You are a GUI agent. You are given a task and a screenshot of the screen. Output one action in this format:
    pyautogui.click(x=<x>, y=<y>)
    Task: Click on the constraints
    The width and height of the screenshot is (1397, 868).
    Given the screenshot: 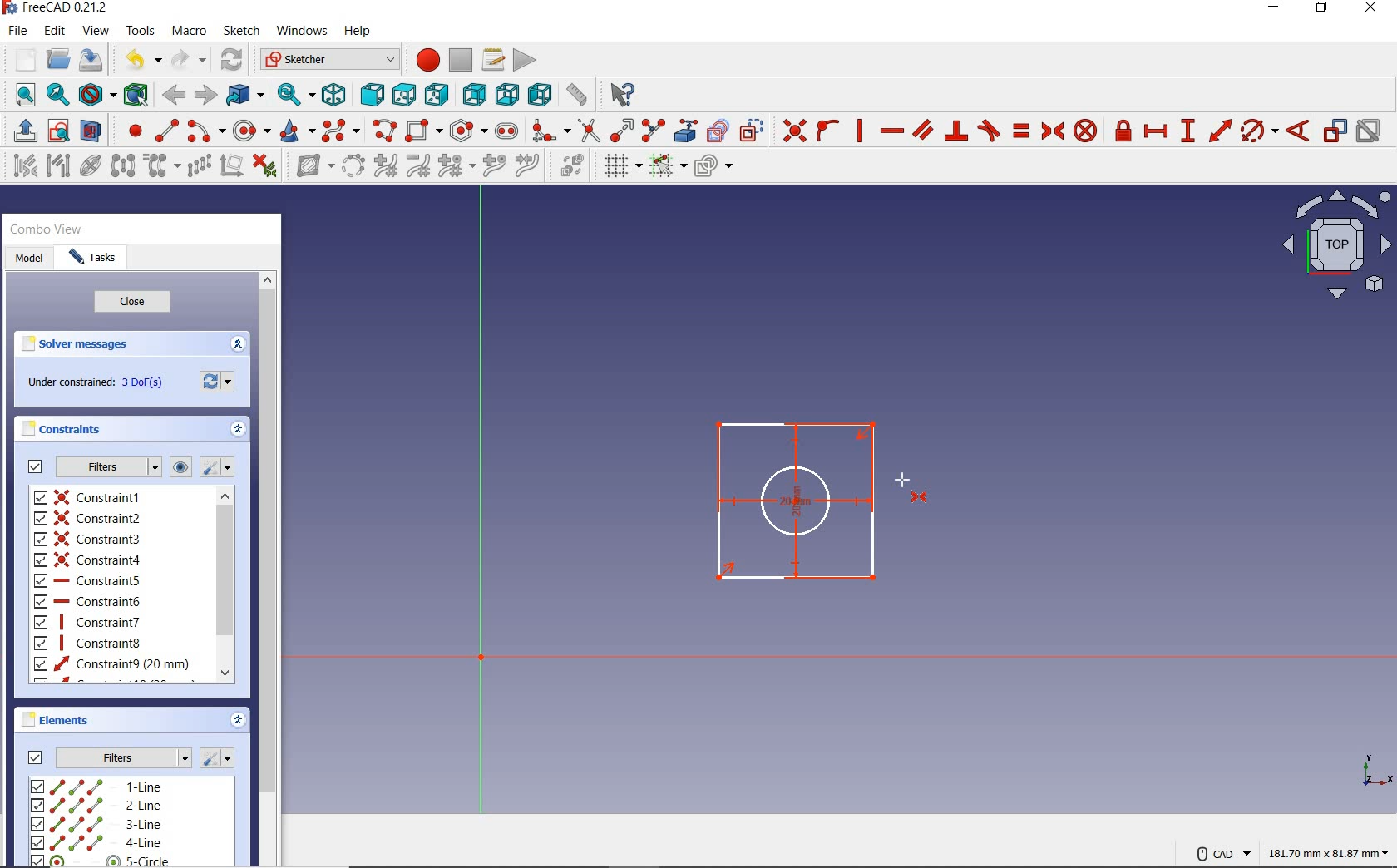 What is the action you would take?
    pyautogui.click(x=62, y=430)
    